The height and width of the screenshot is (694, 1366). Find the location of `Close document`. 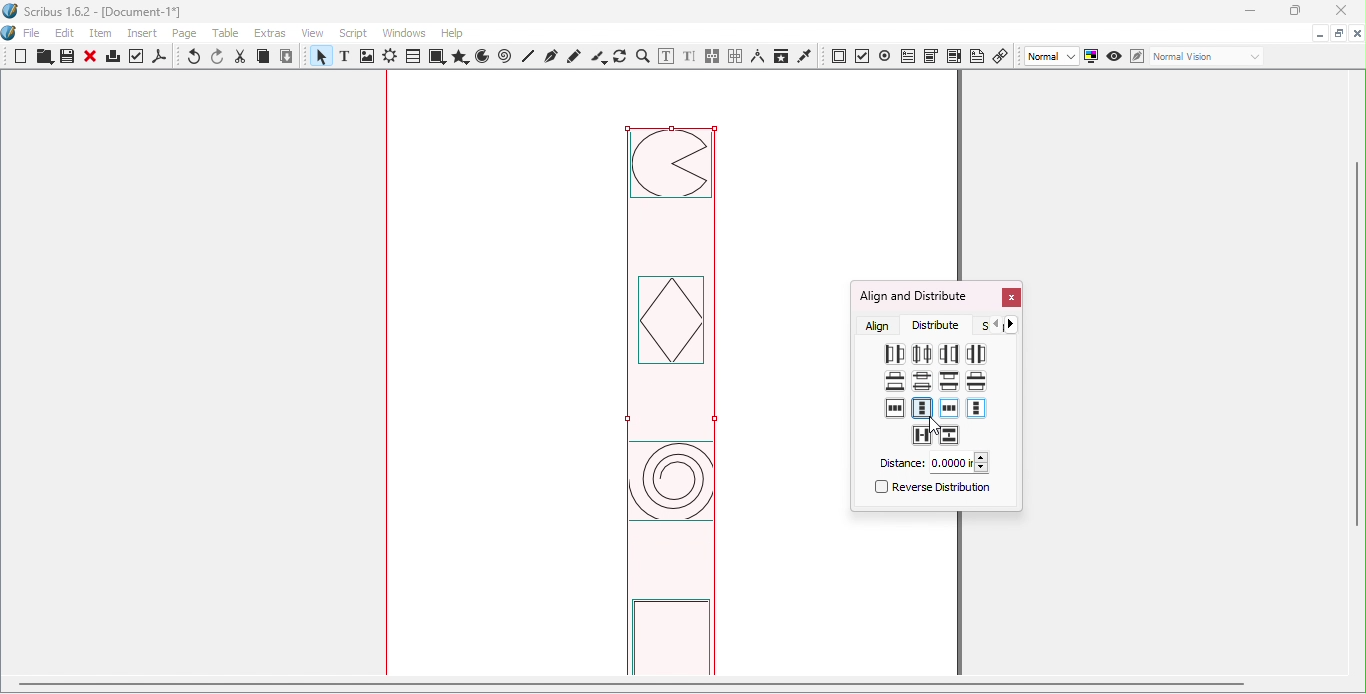

Close document is located at coordinates (1357, 34).